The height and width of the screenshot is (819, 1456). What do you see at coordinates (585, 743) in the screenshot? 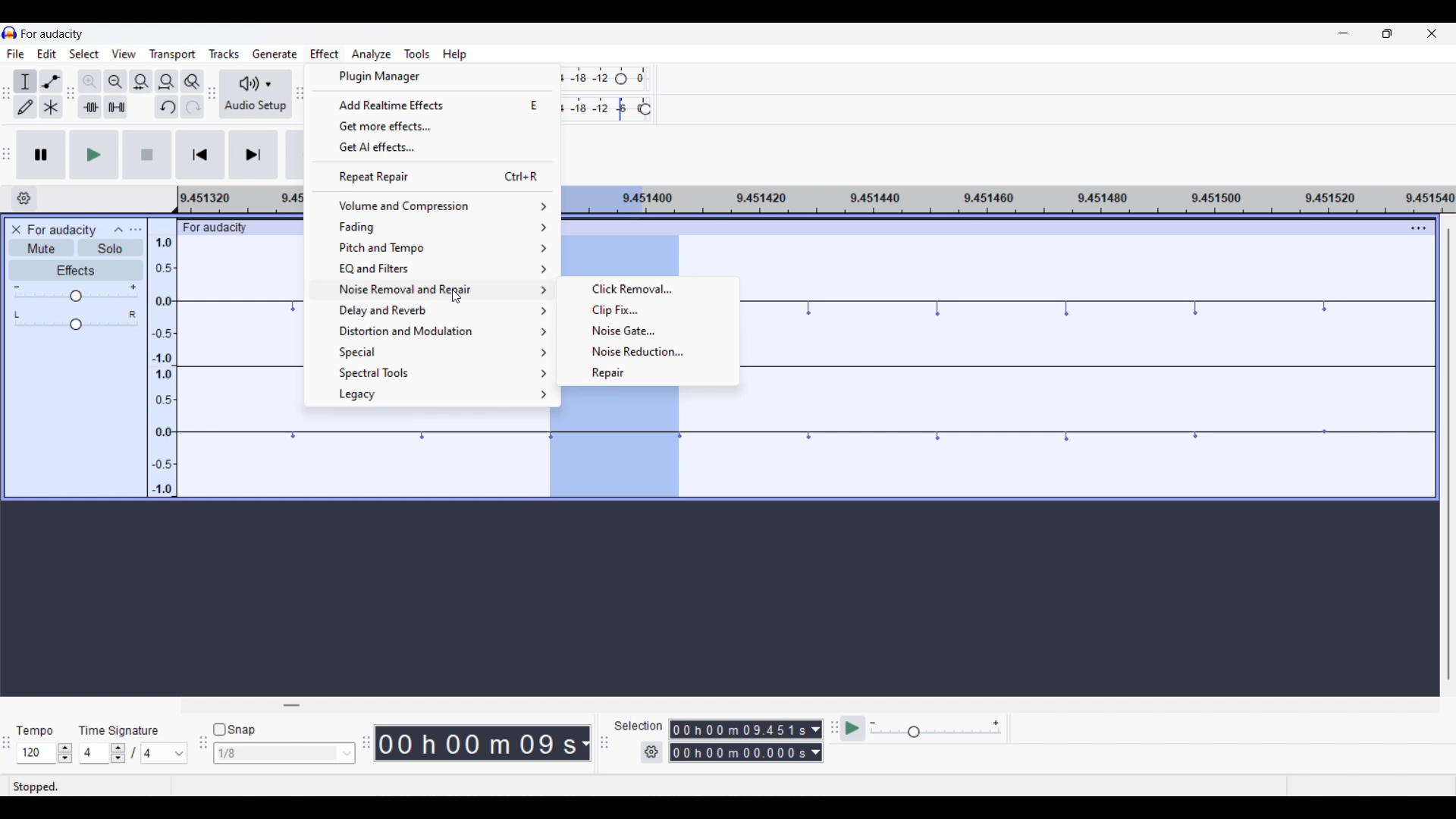
I see `Current track measurement` at bounding box center [585, 743].